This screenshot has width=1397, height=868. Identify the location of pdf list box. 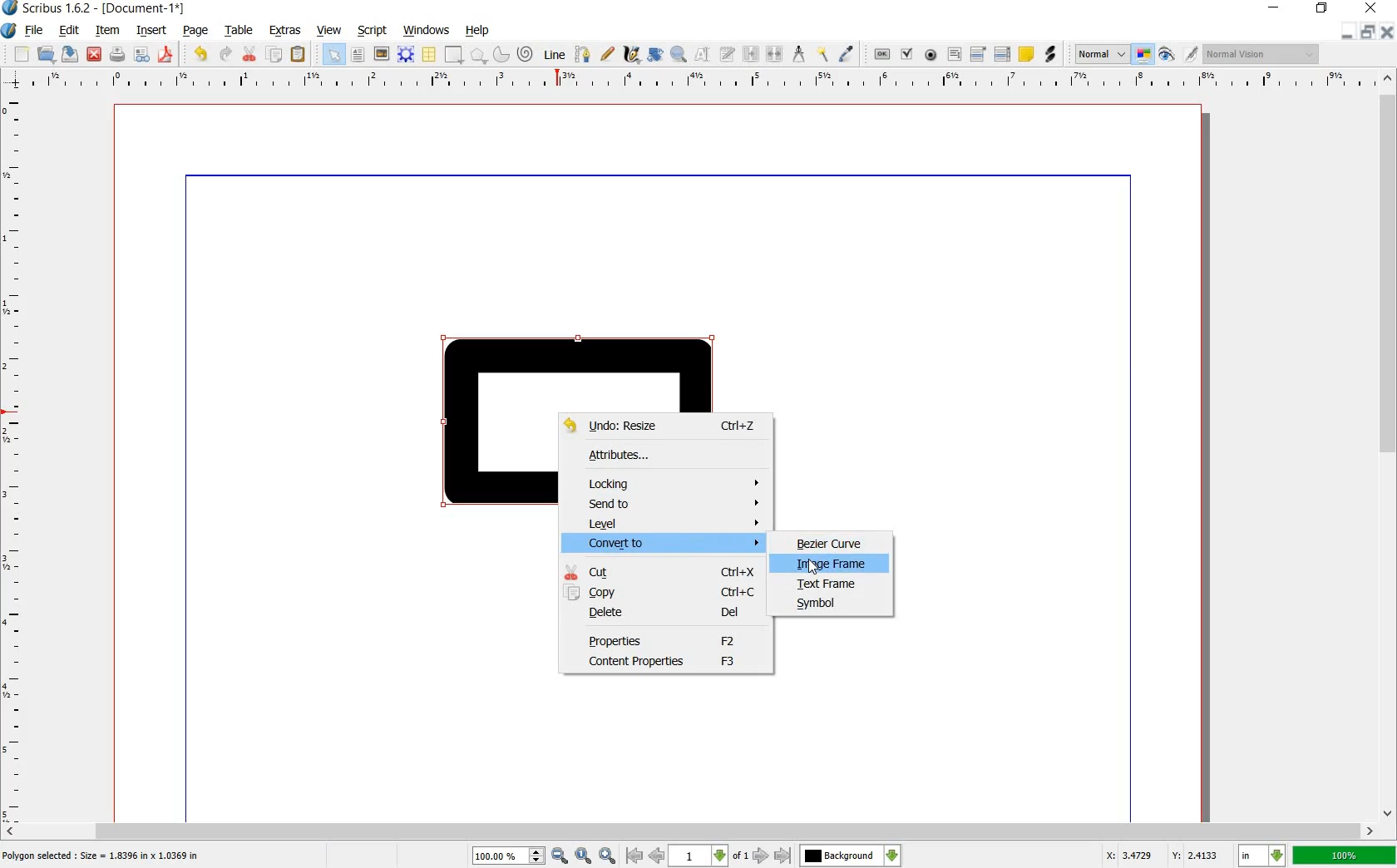
(1004, 55).